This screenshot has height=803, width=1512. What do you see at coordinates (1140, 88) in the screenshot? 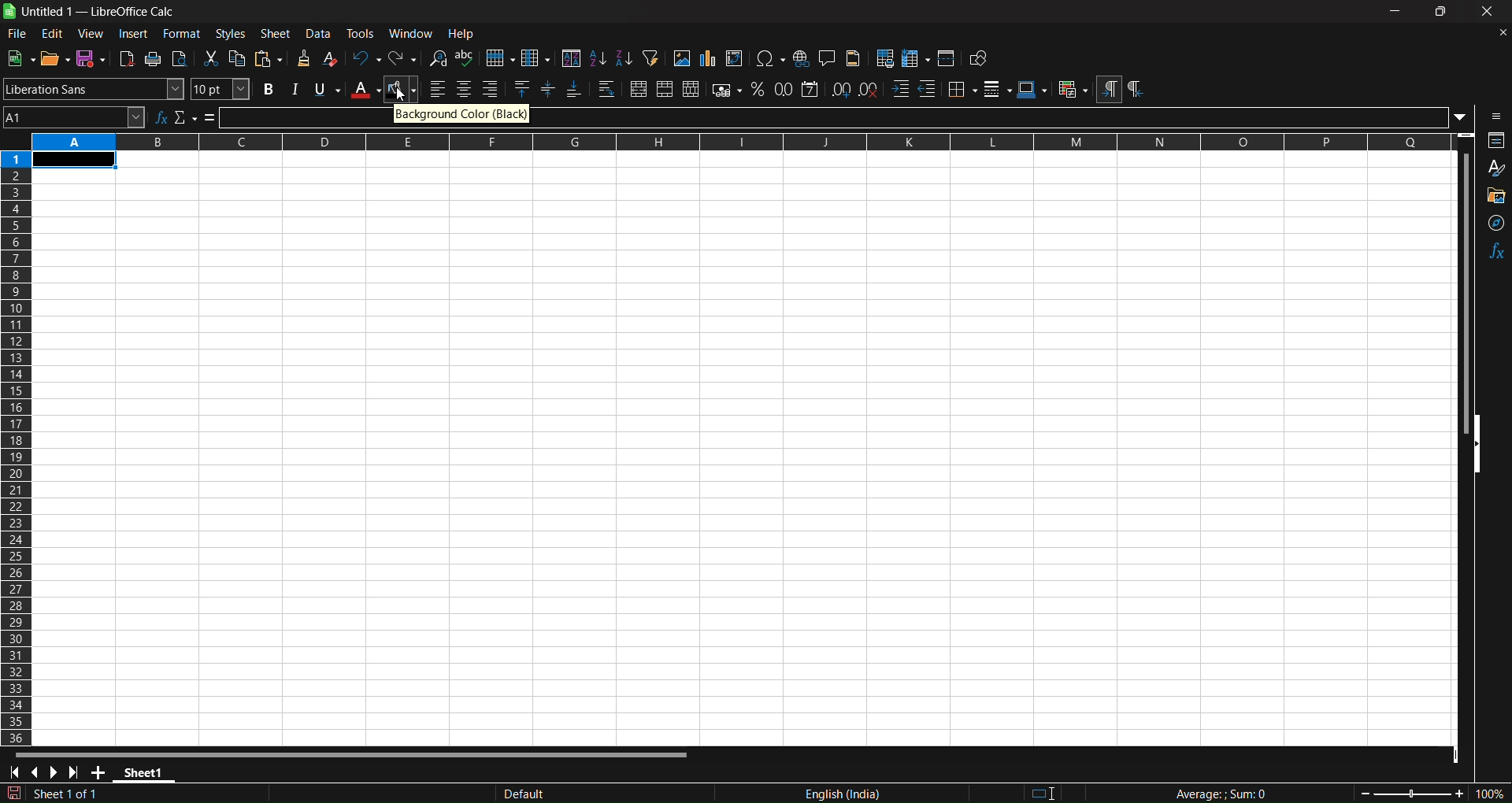
I see `right to left` at bounding box center [1140, 88].